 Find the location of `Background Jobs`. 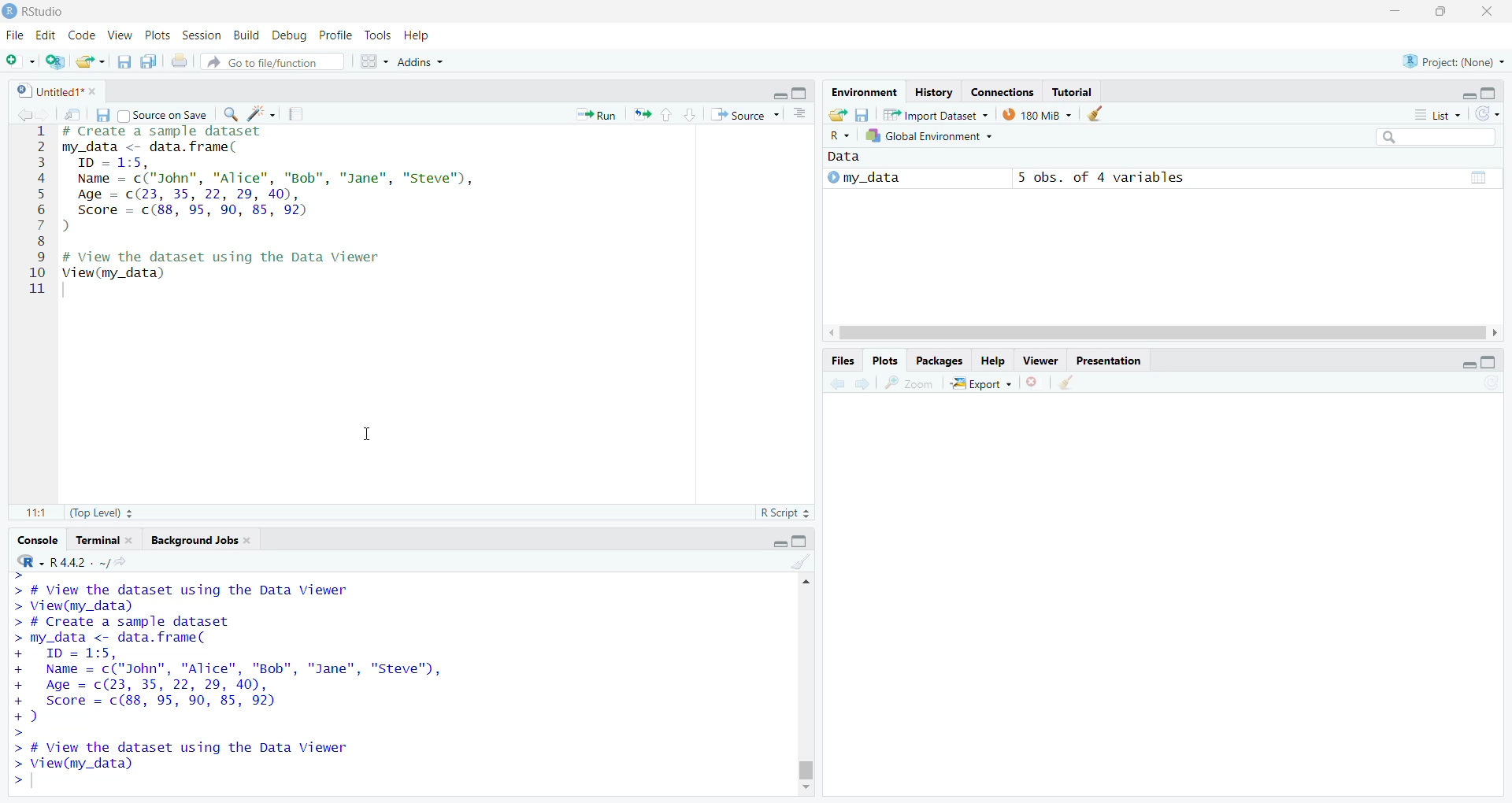

Background Jobs is located at coordinates (204, 542).